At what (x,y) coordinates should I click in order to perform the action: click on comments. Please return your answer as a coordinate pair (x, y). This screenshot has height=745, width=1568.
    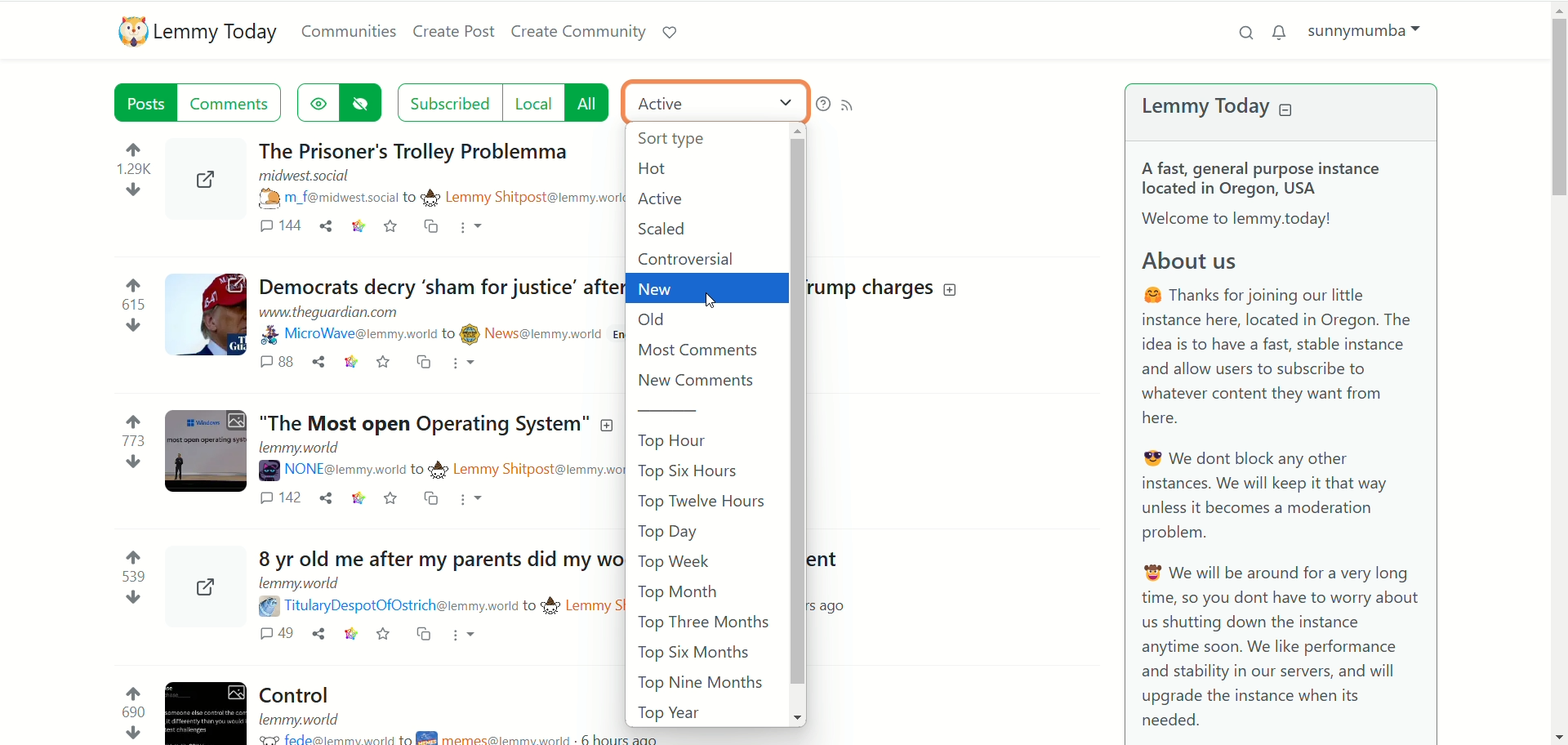
    Looking at the image, I should click on (279, 500).